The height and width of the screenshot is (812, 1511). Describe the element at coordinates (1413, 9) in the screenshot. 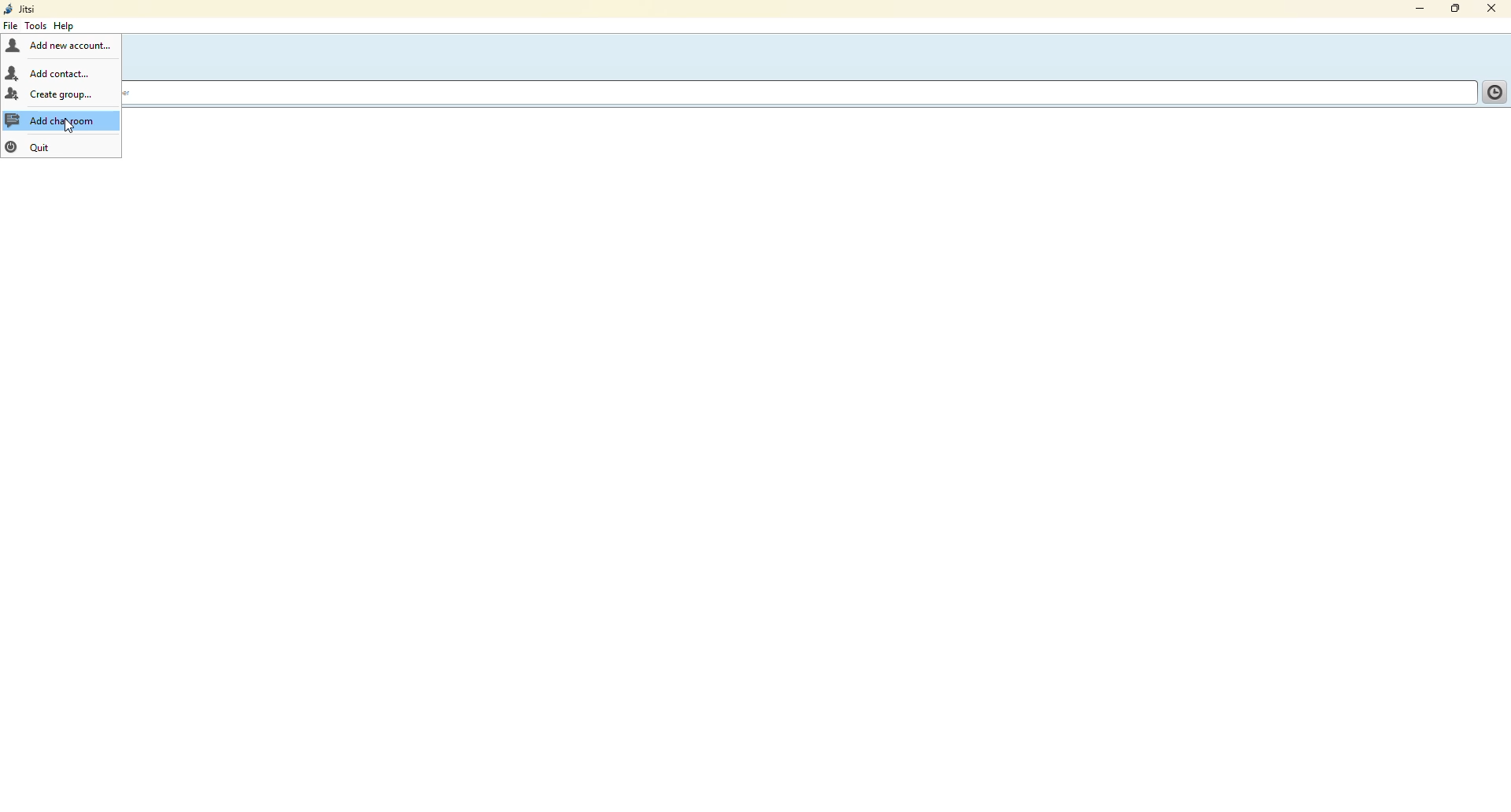

I see `minimize` at that location.